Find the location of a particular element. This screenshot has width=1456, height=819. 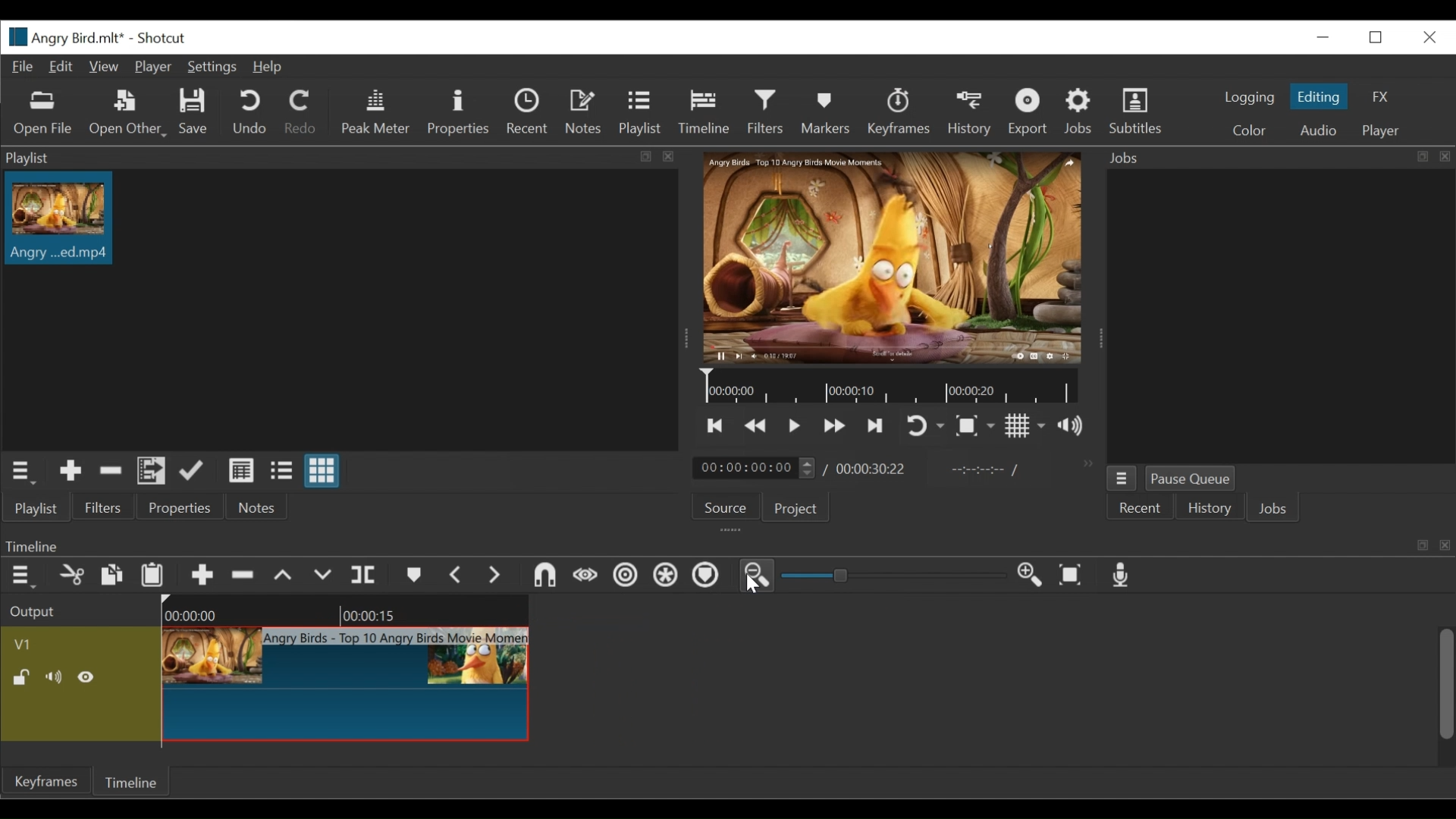

Playlist is located at coordinates (640, 111).